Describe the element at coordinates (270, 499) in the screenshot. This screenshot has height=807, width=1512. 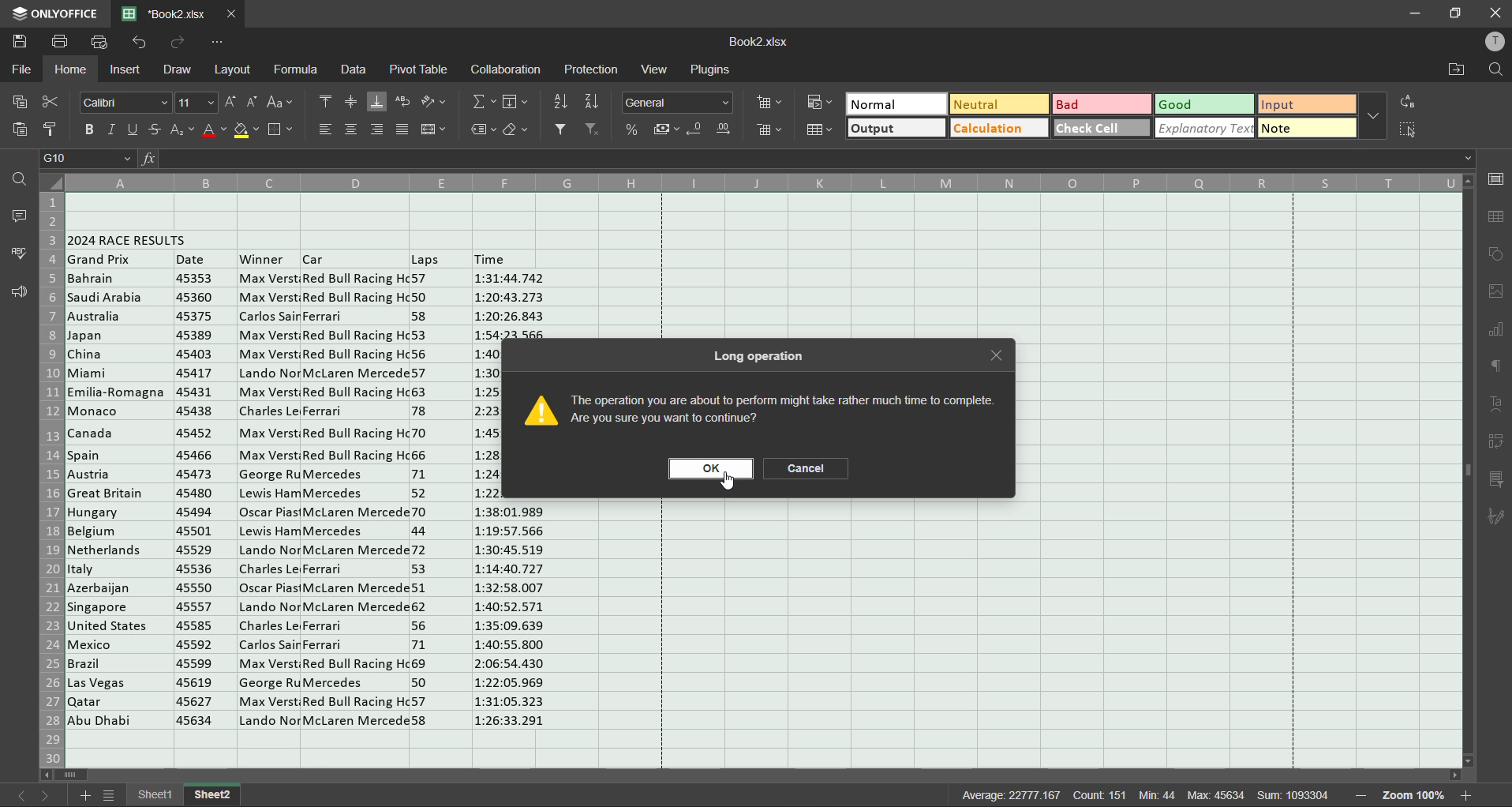
I see `winner` at that location.